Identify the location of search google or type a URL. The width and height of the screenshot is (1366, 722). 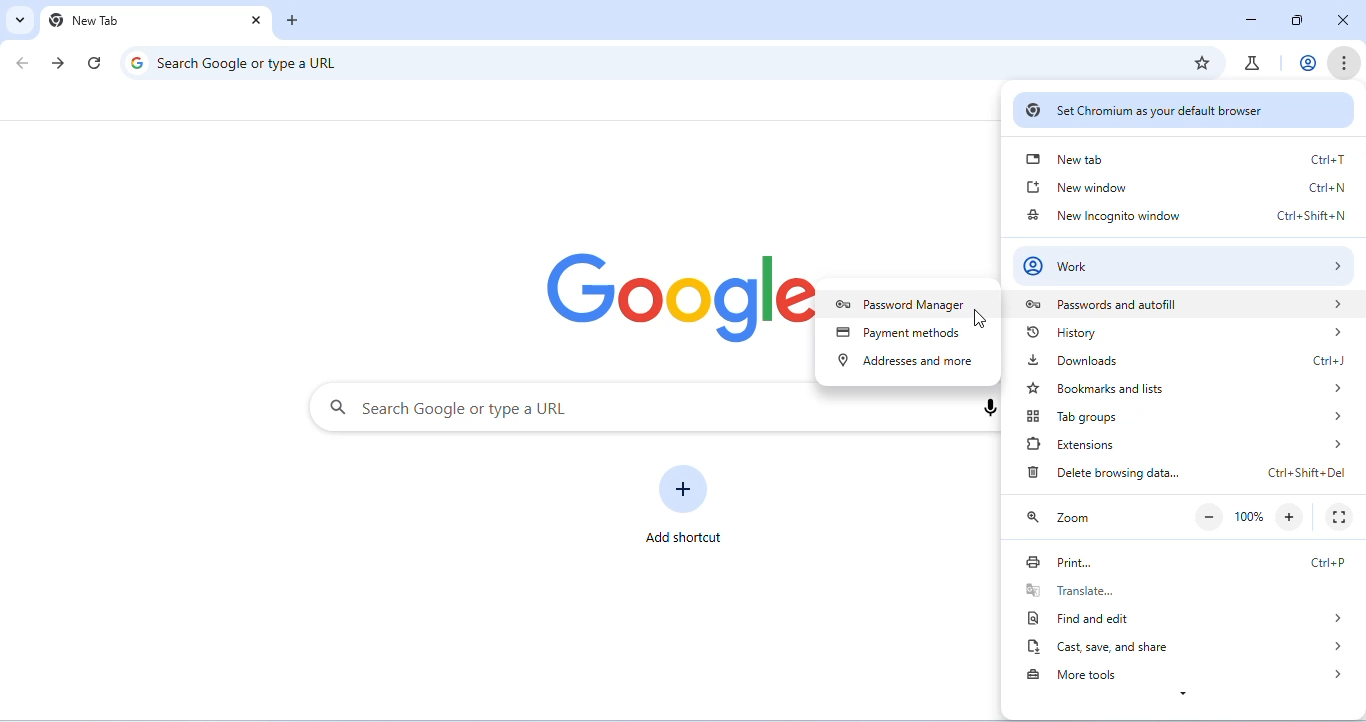
(262, 63).